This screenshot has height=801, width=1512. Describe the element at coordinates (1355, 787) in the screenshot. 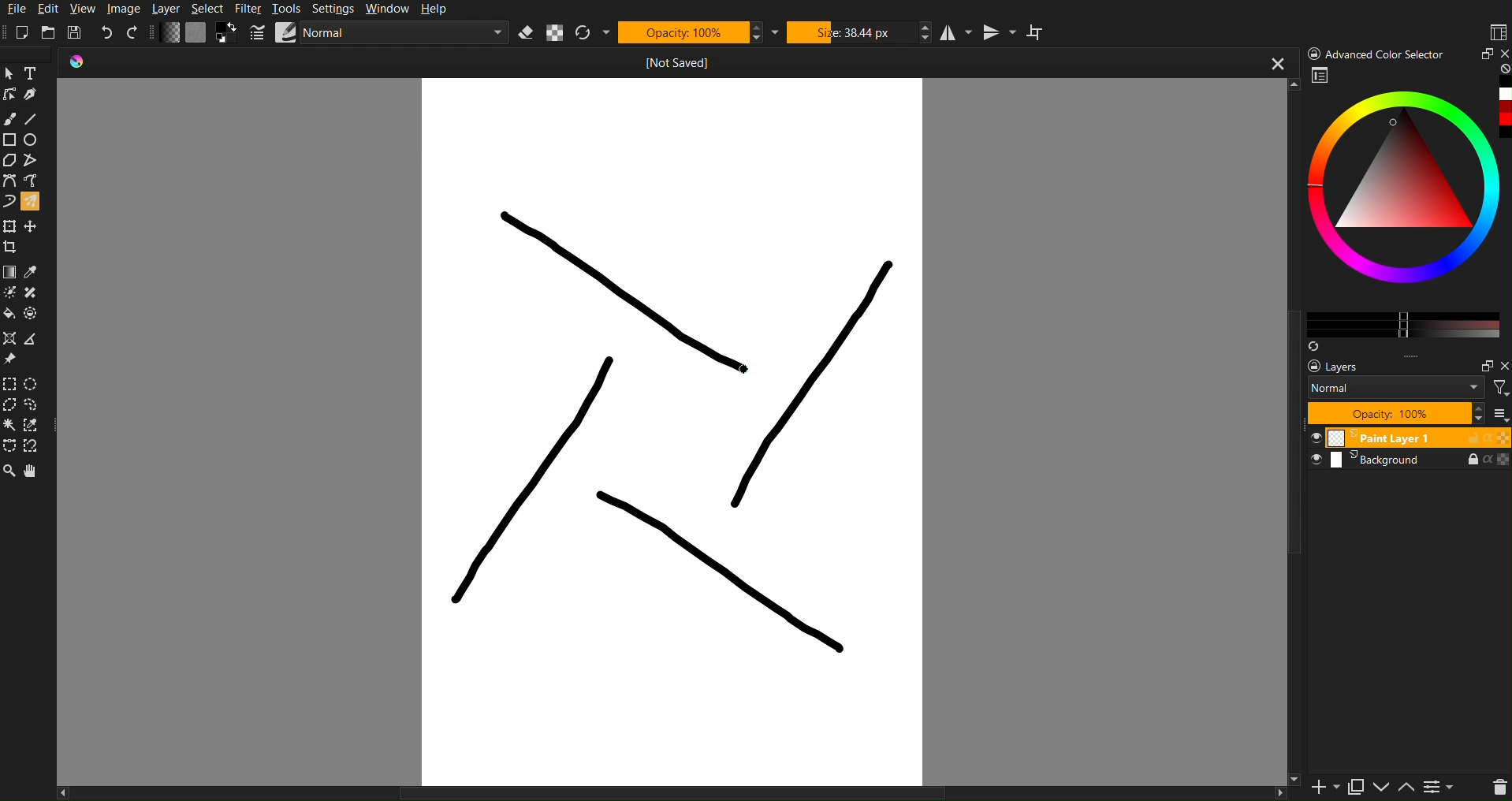

I see `copy` at that location.